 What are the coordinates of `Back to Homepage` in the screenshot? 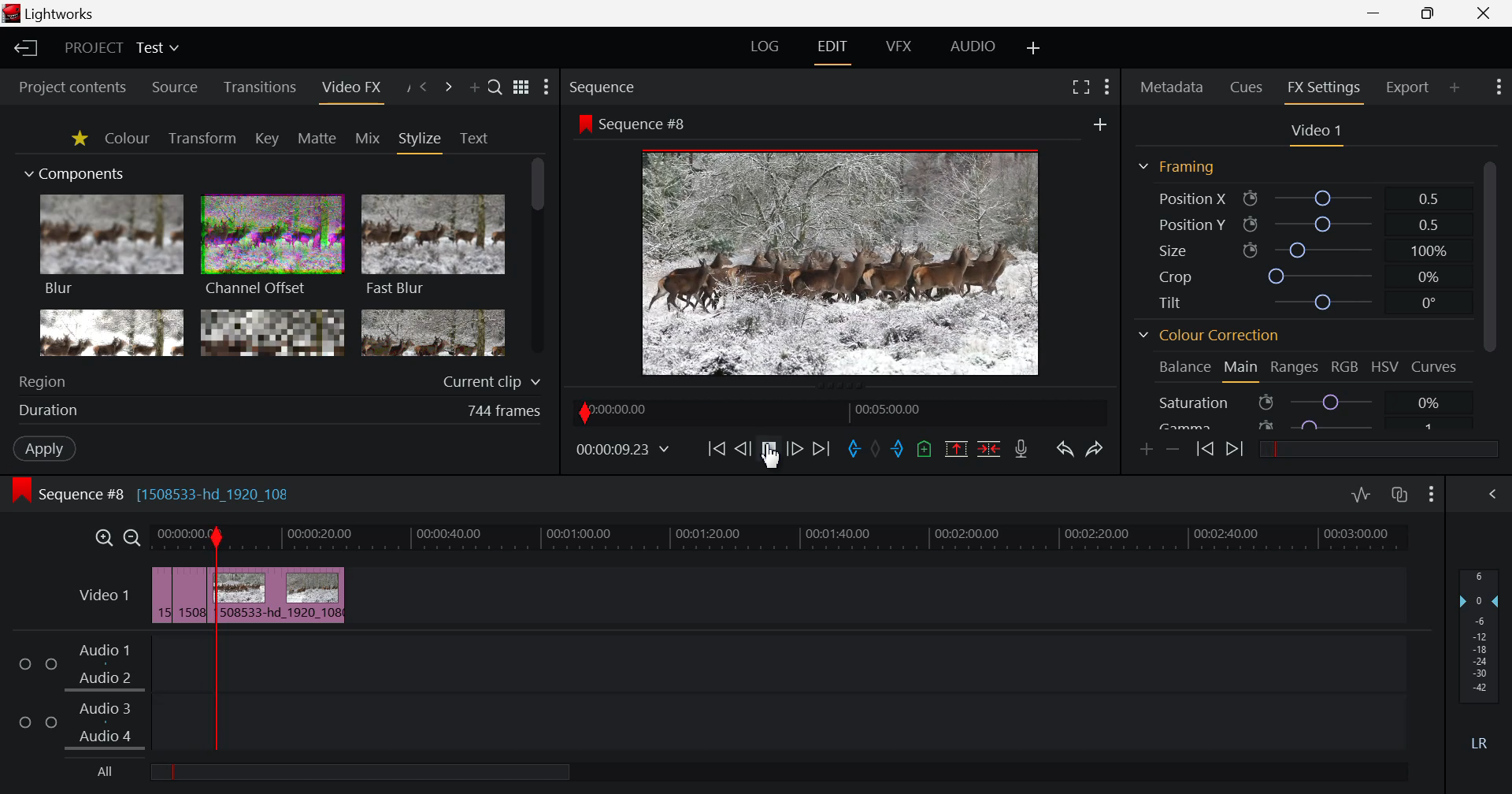 It's located at (25, 49).